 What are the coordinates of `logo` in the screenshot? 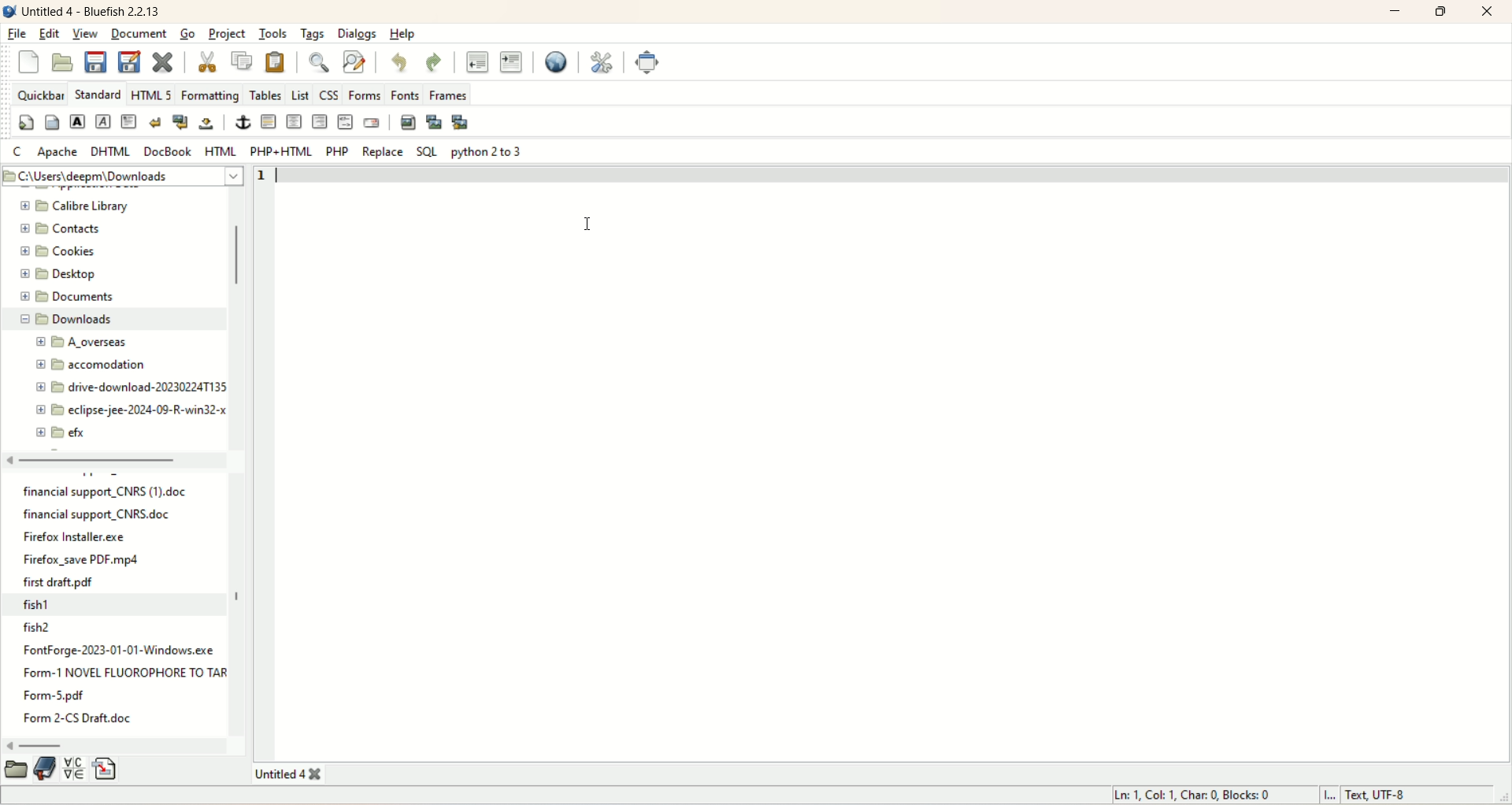 It's located at (9, 9).